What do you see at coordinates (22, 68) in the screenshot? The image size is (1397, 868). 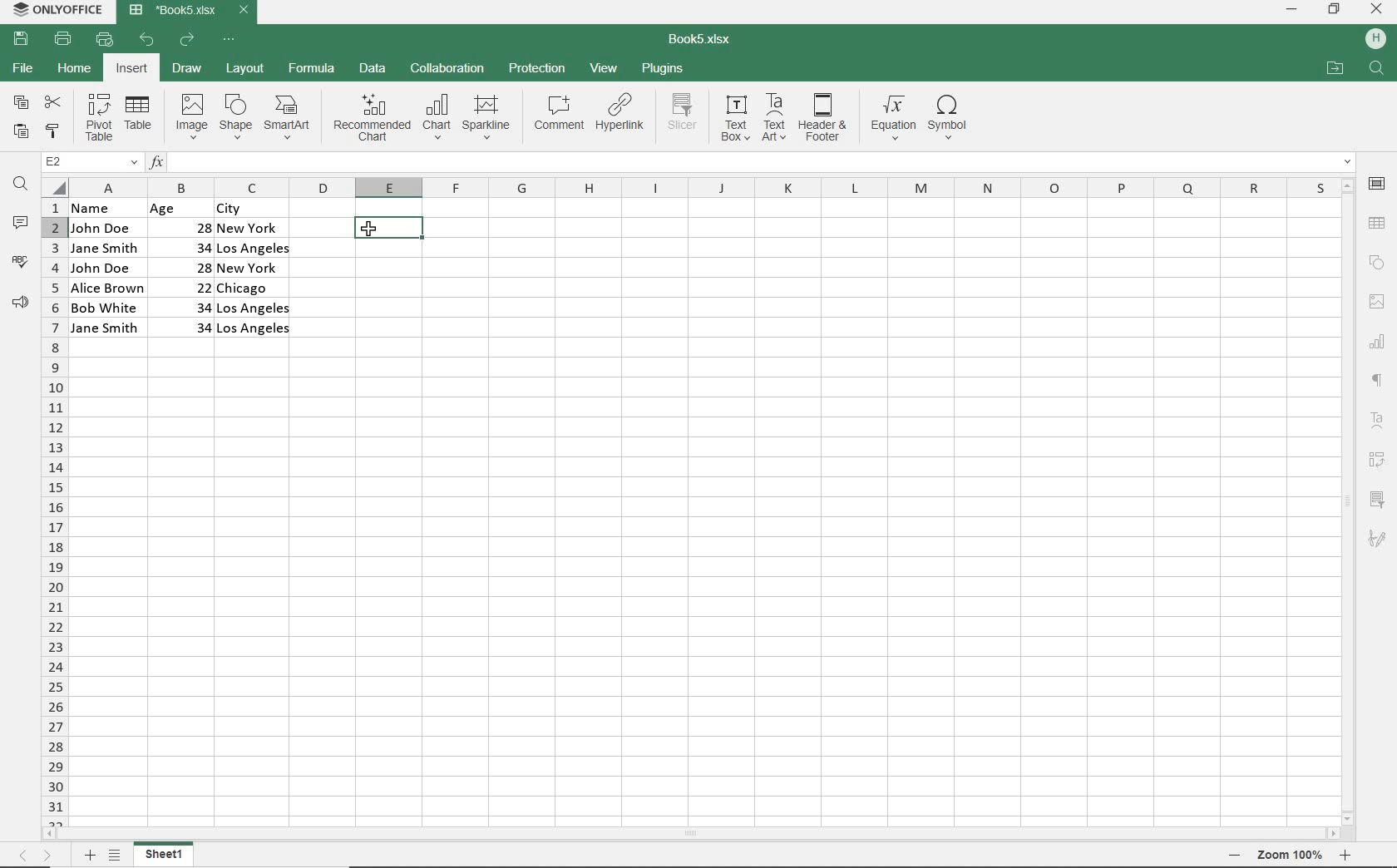 I see `FILE` at bounding box center [22, 68].